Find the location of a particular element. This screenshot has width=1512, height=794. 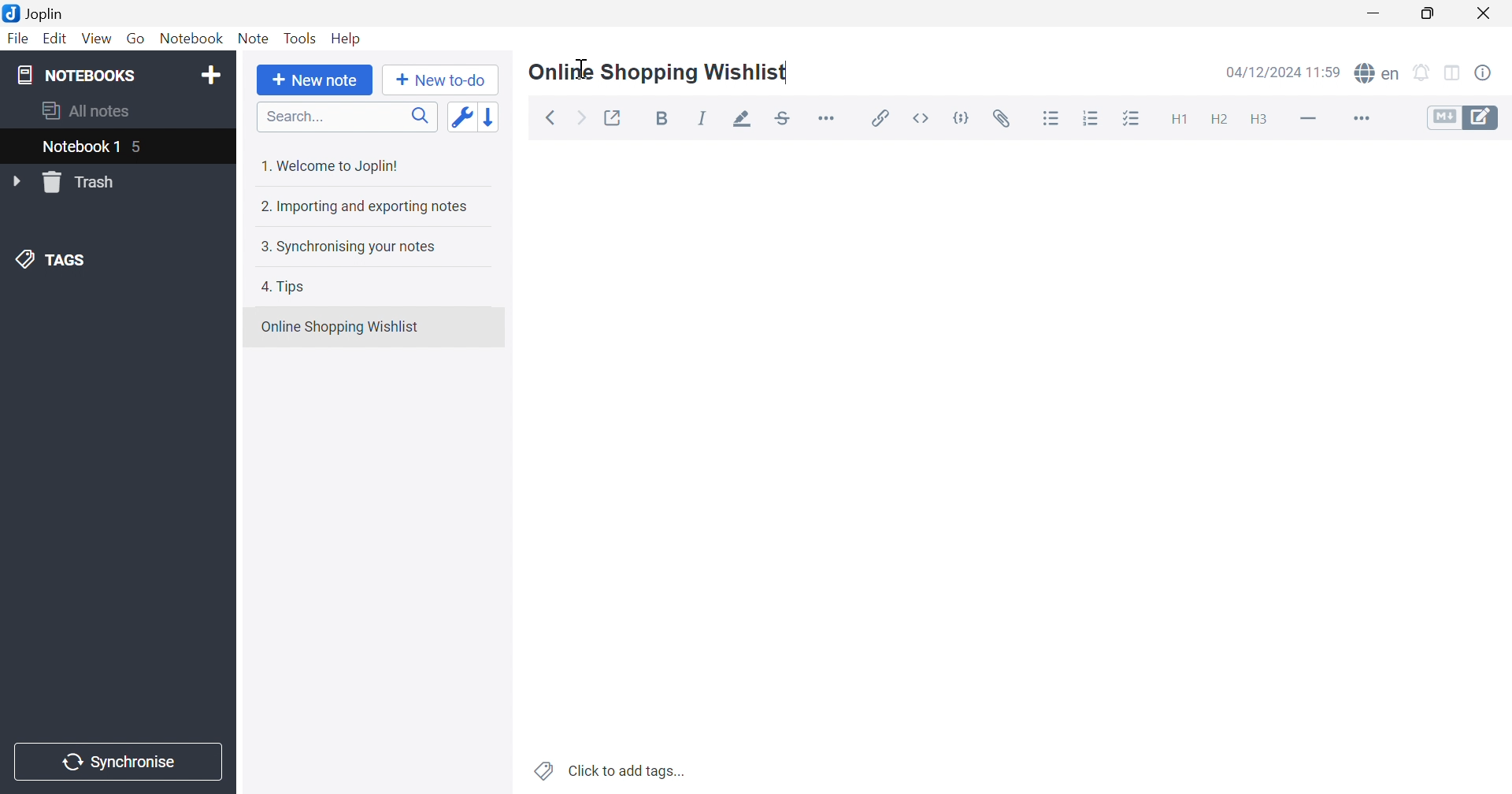

Minimize is located at coordinates (1374, 13).